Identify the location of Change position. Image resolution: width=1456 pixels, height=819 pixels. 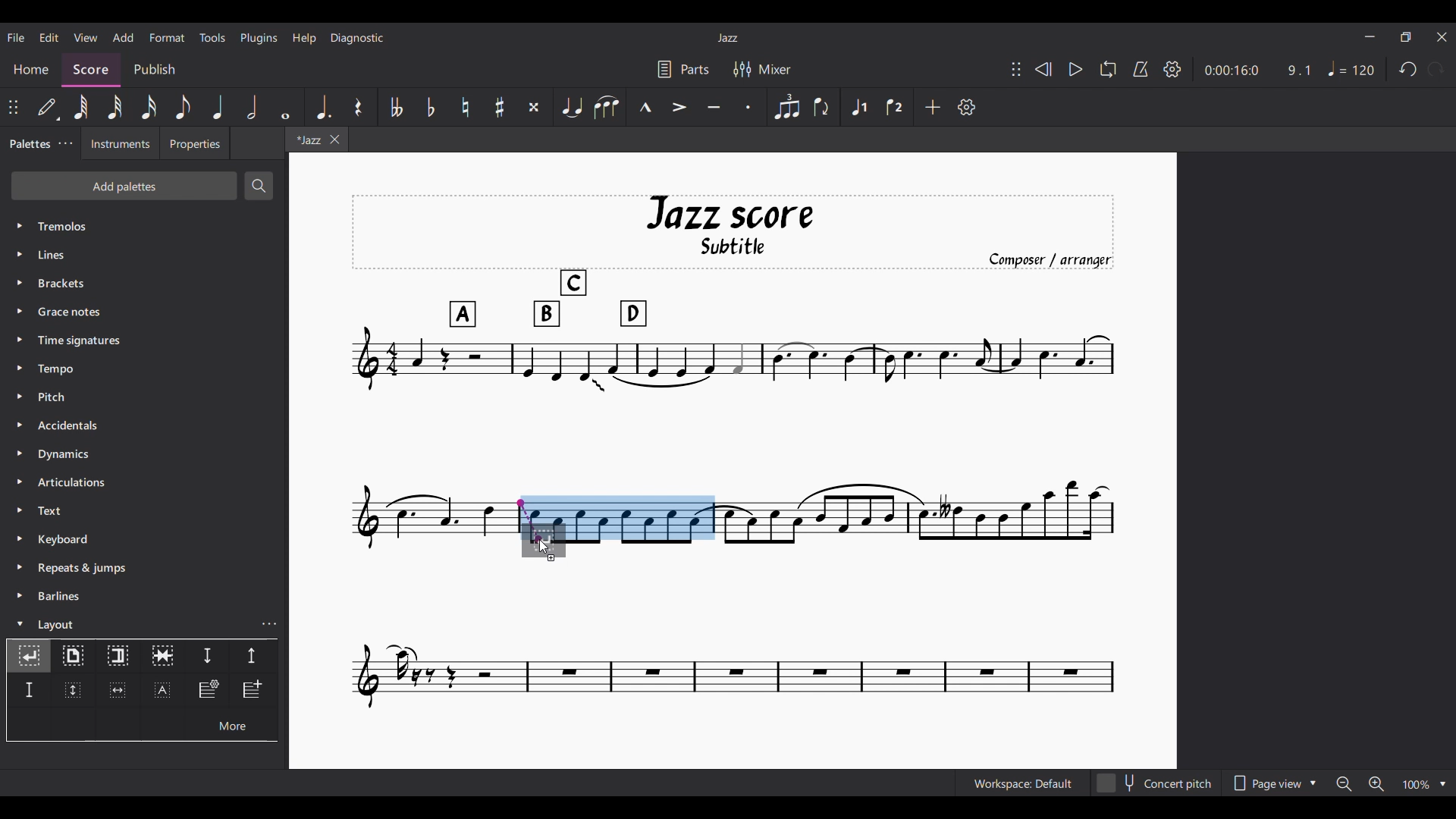
(1016, 69).